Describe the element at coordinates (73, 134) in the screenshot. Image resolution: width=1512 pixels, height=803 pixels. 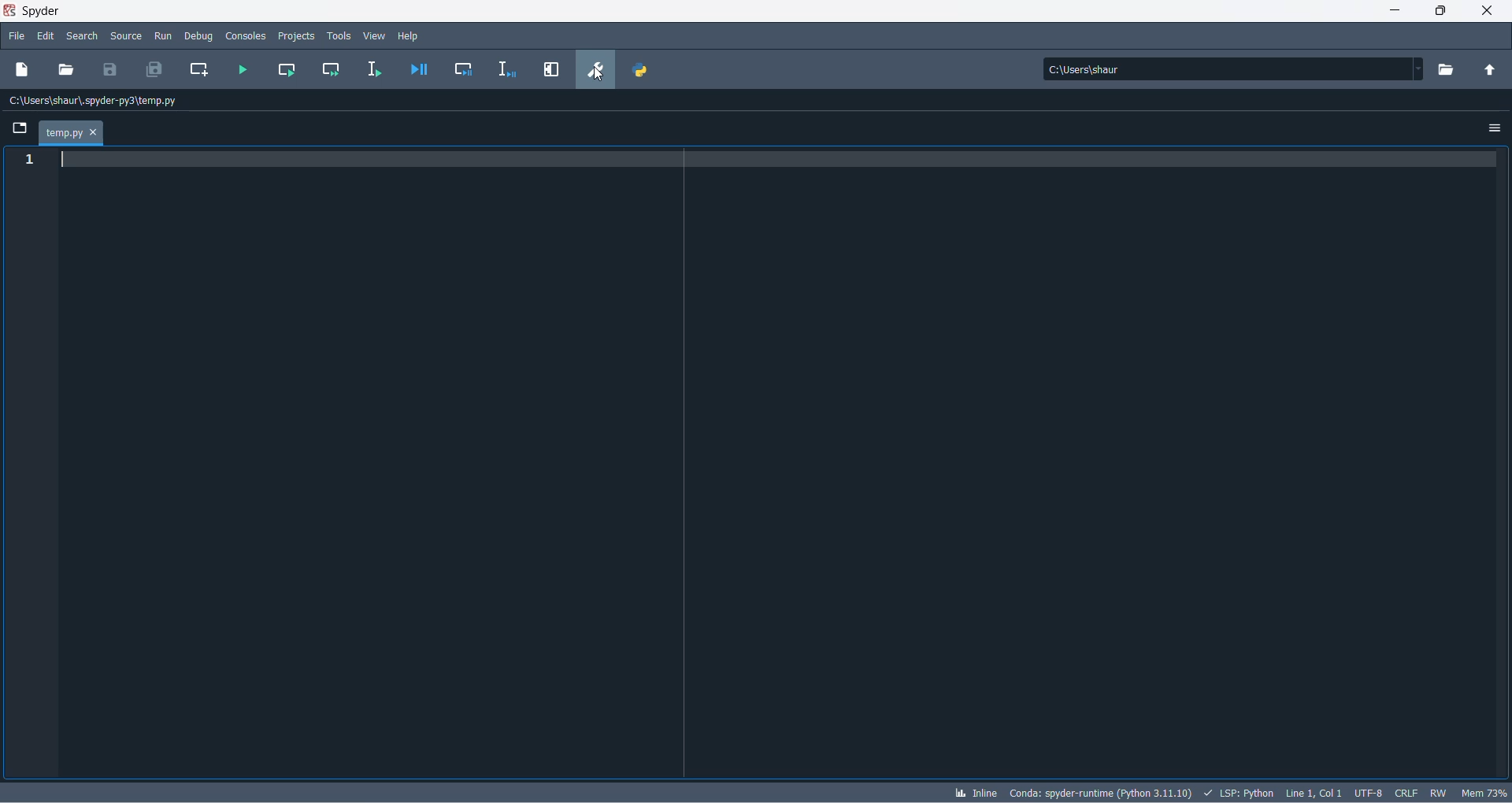
I see `tab` at that location.